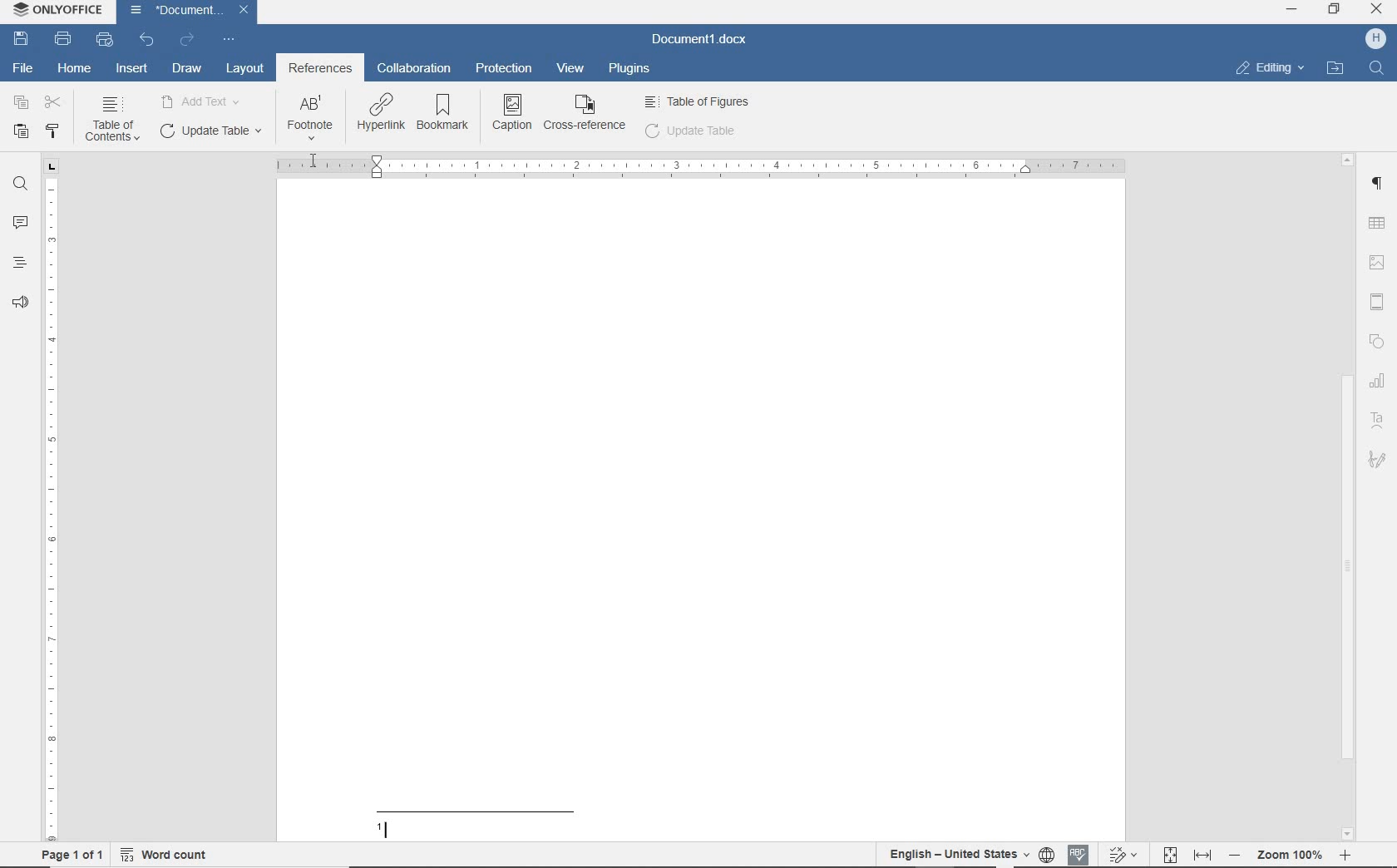 The width and height of the screenshot is (1397, 868). Describe the element at coordinates (64, 40) in the screenshot. I see `print` at that location.